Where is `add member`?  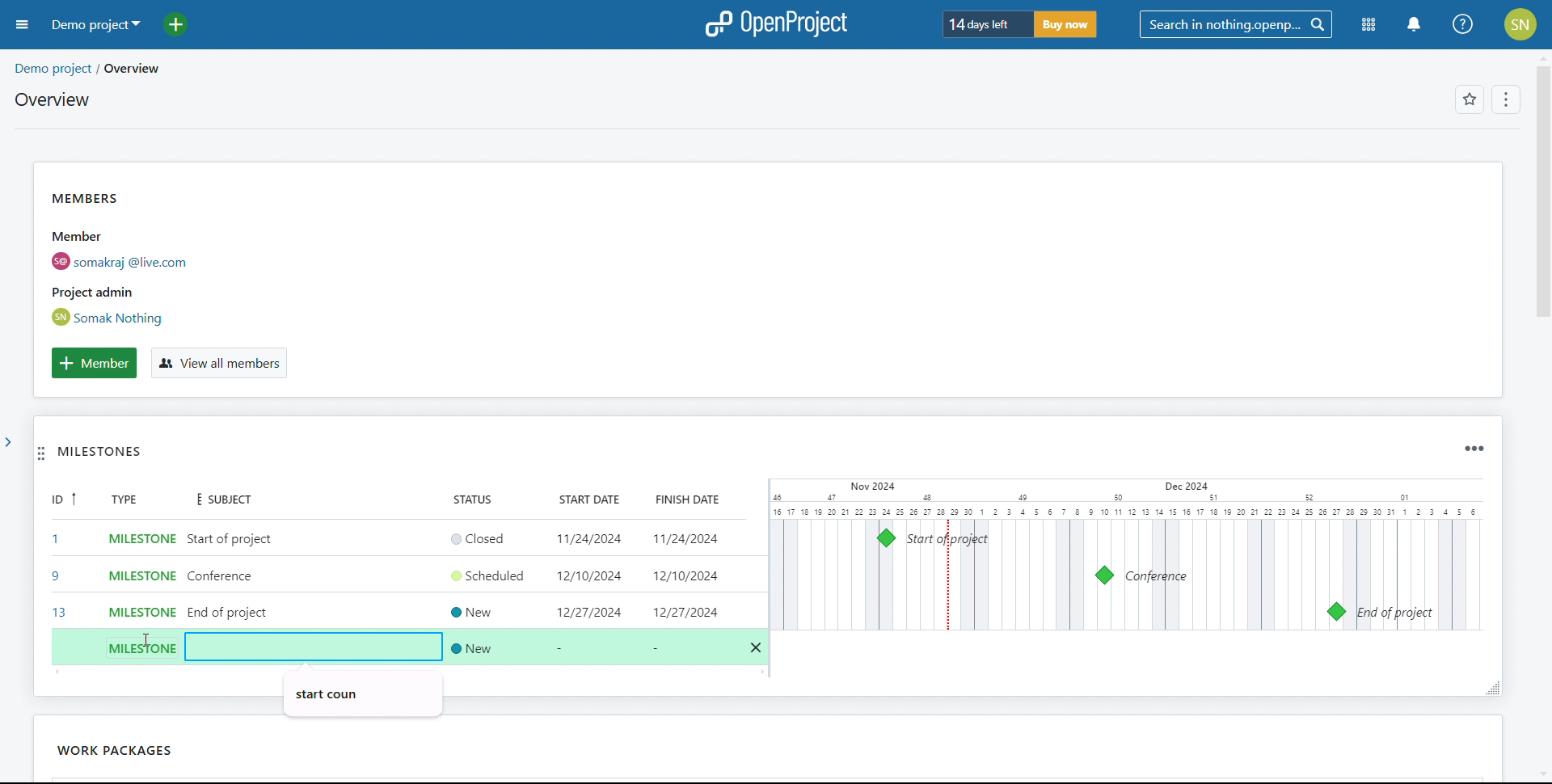
add member is located at coordinates (94, 363).